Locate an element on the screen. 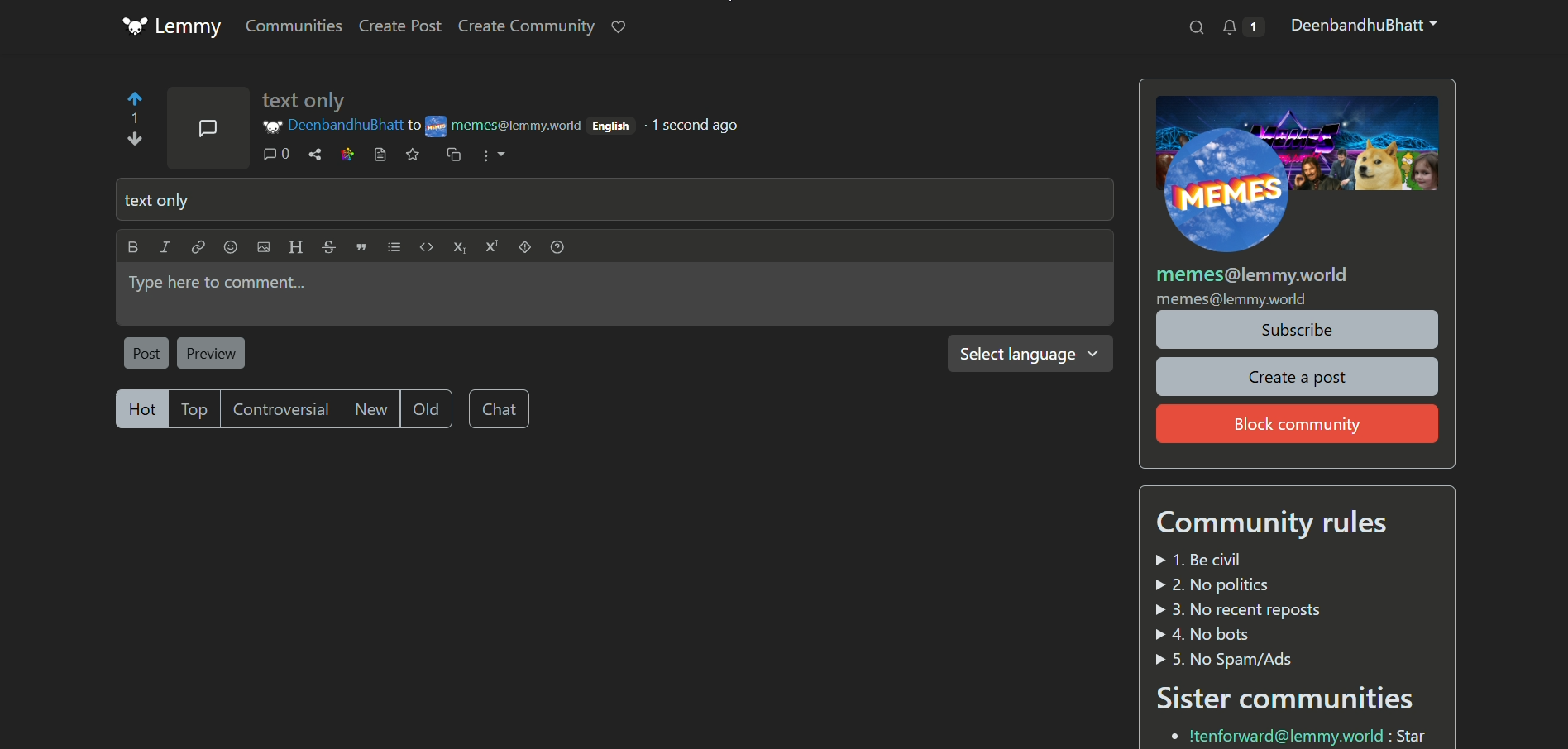 This screenshot has width=1568, height=749. create a post is located at coordinates (1298, 377).